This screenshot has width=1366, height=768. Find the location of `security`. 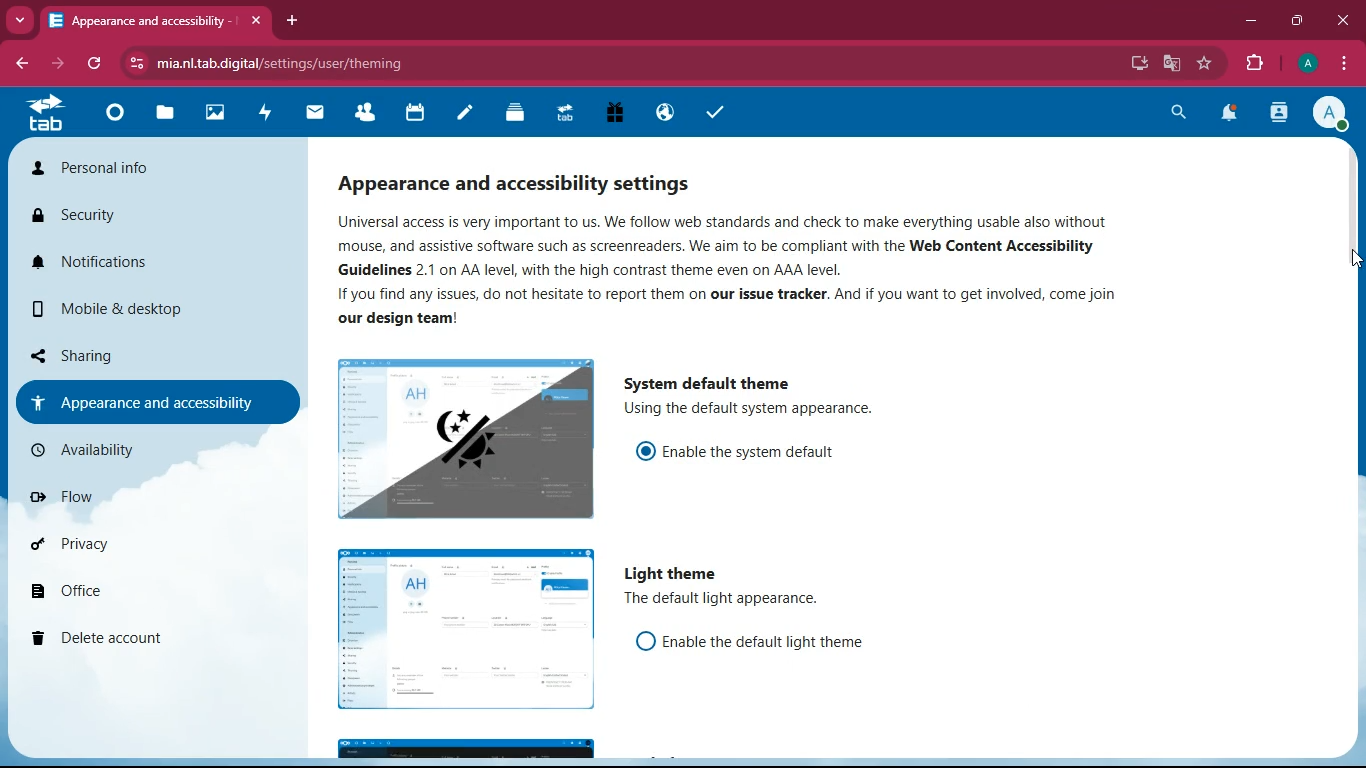

security is located at coordinates (148, 218).